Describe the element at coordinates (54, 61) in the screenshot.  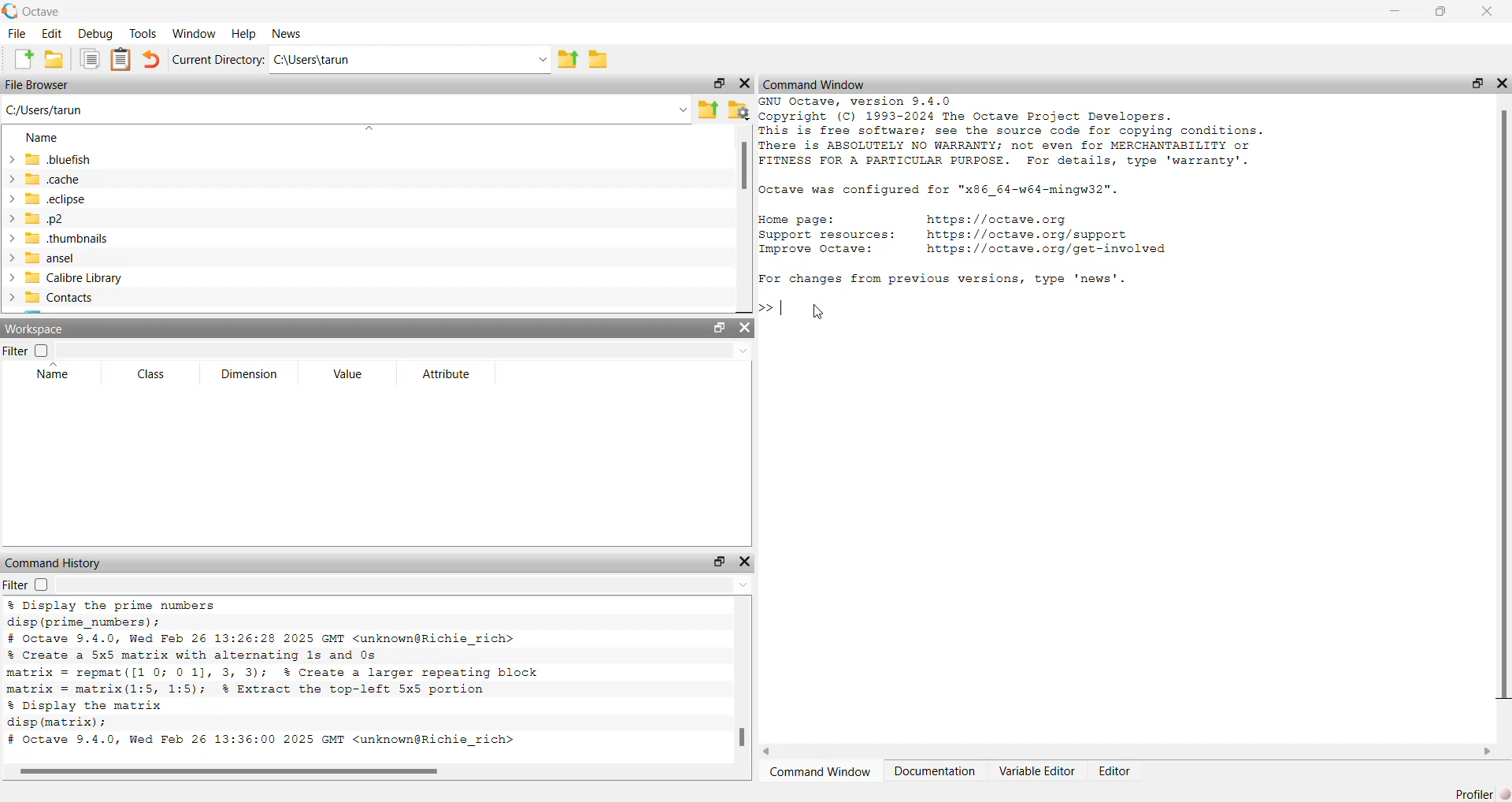
I see `open an existing file in editor` at that location.